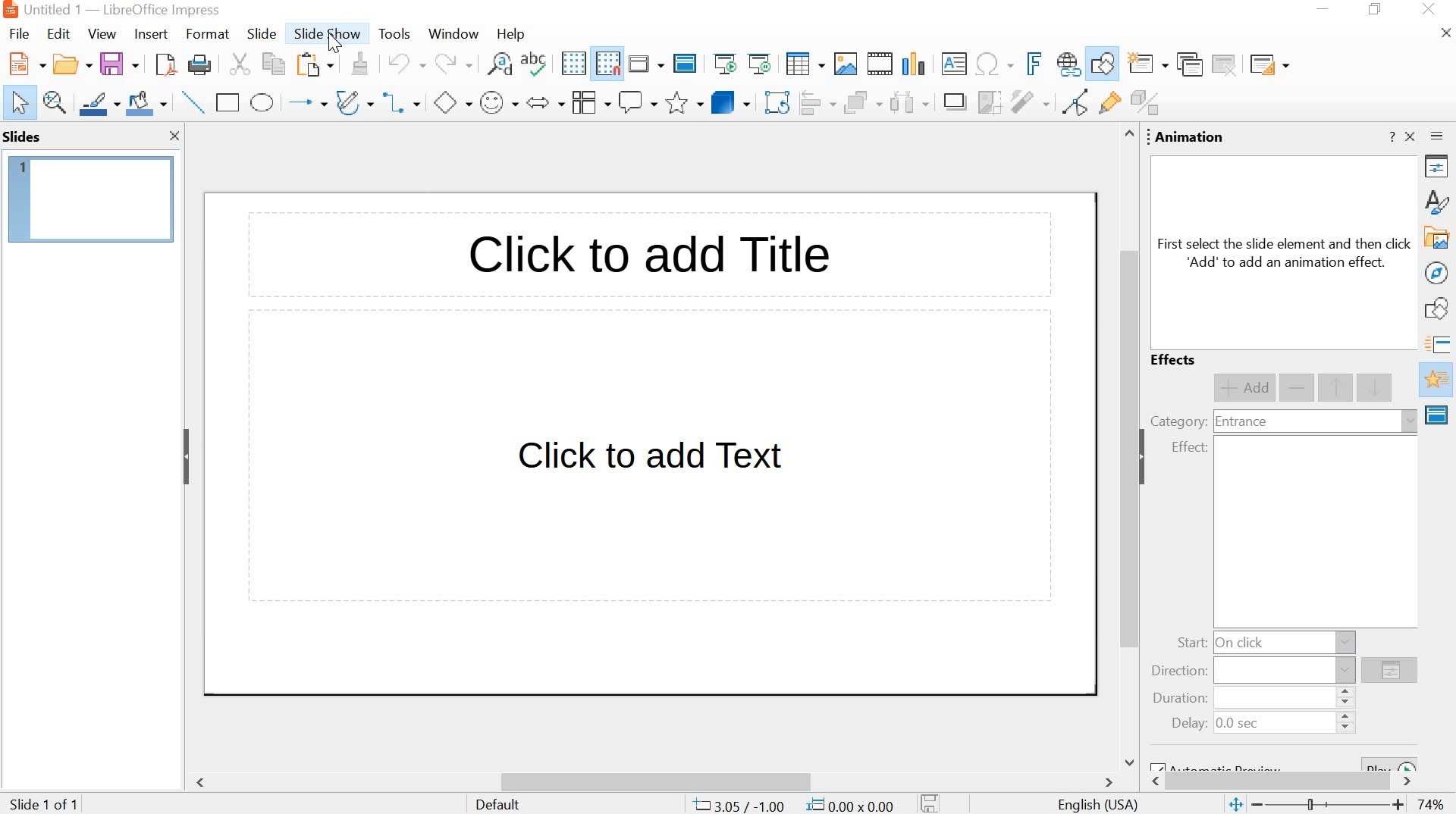 The width and height of the screenshot is (1456, 814). Describe the element at coordinates (324, 34) in the screenshot. I see `slide show menu` at that location.